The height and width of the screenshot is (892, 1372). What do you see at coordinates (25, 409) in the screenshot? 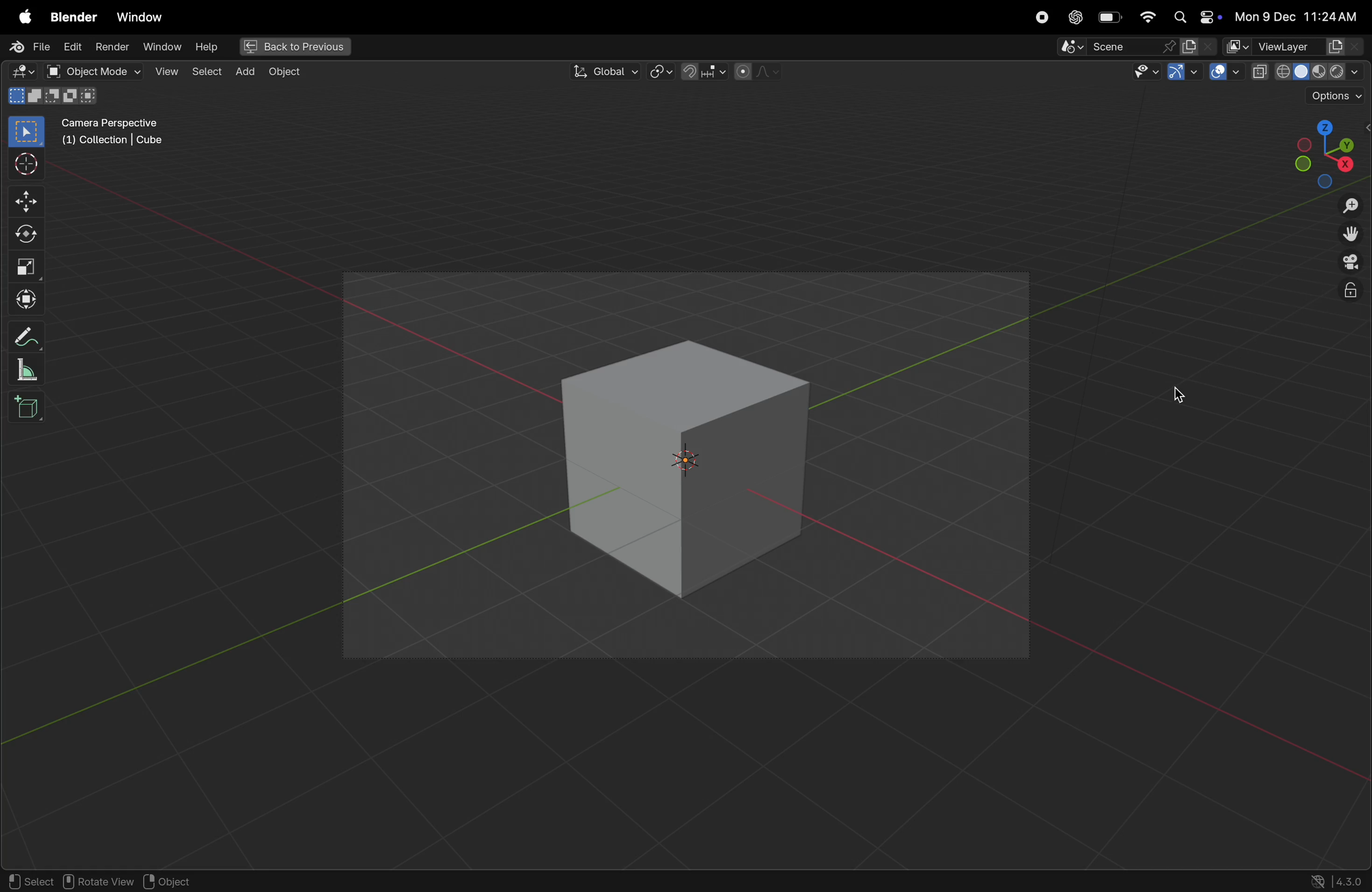
I see `add cube` at bounding box center [25, 409].